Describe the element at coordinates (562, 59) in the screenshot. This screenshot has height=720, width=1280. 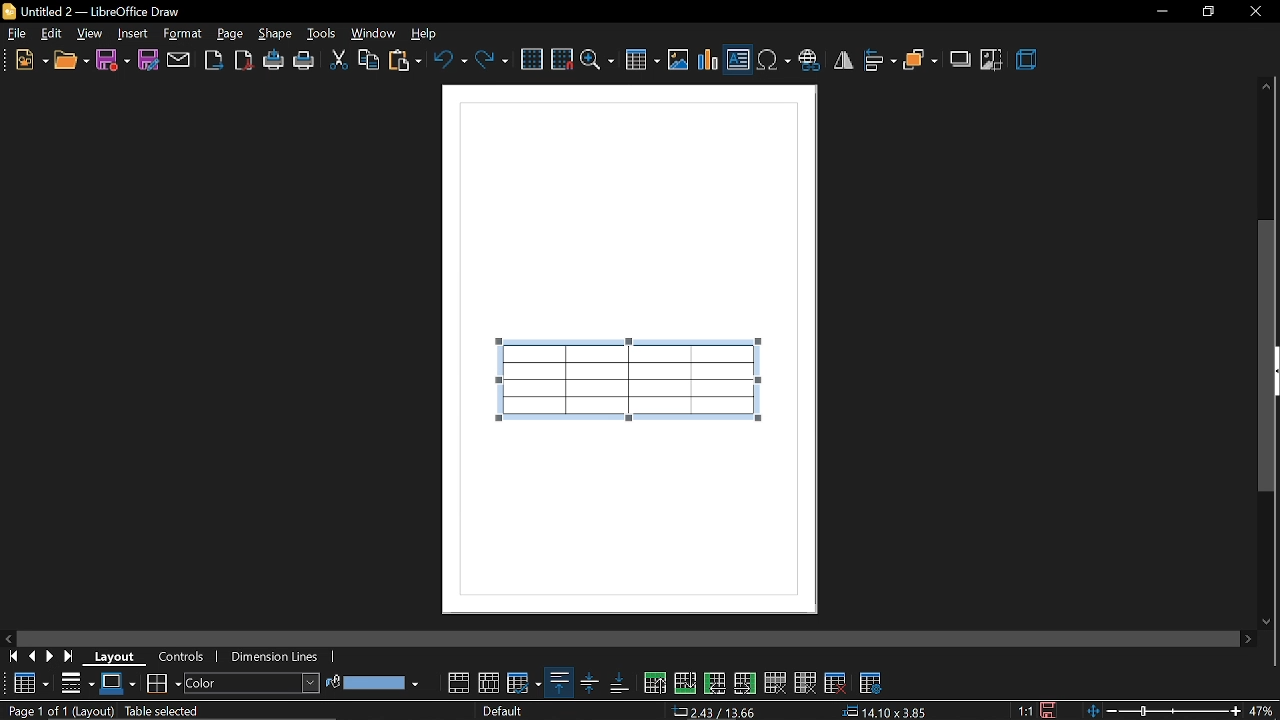
I see `snap to grid` at that location.